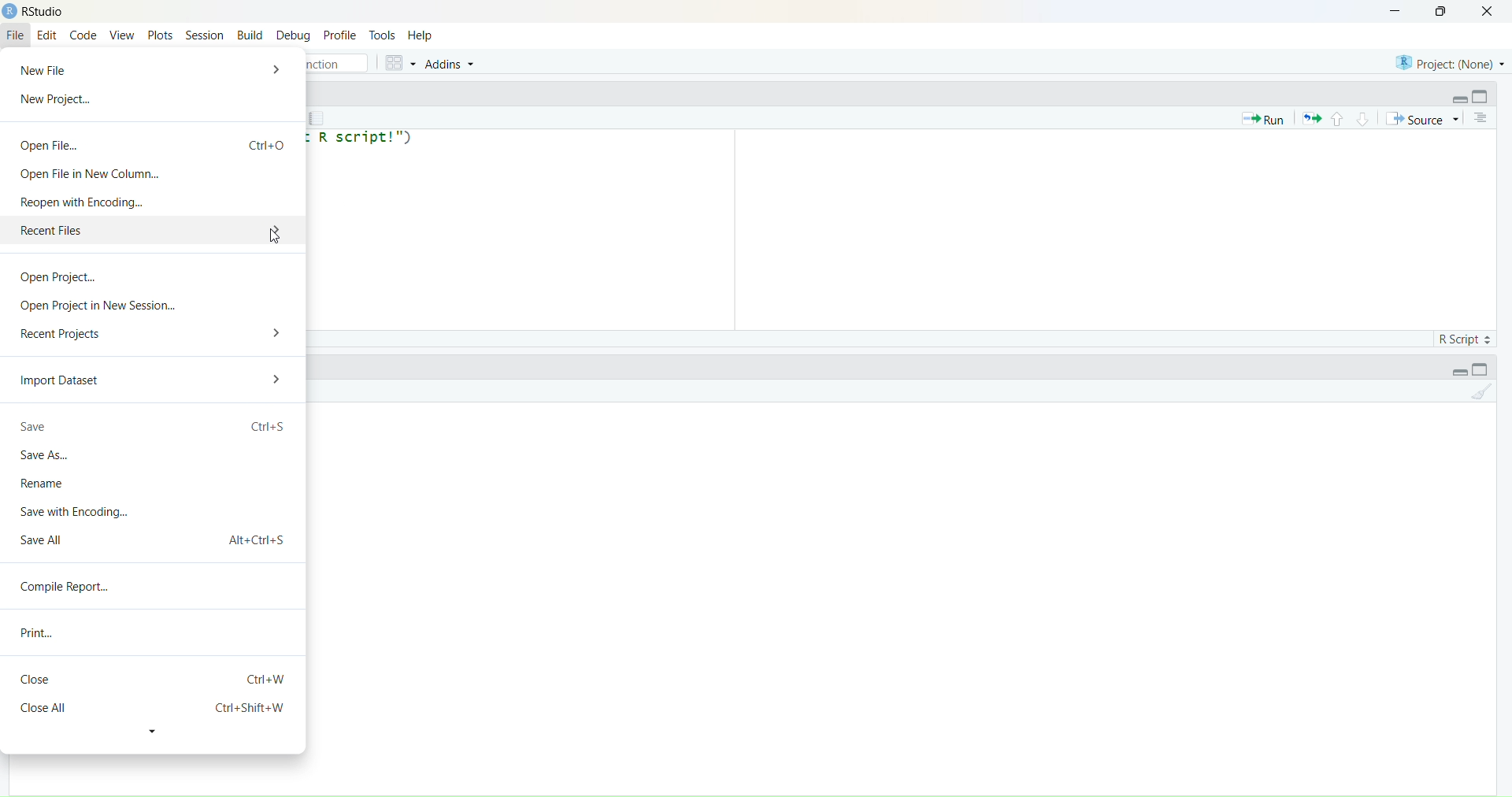 This screenshot has height=797, width=1512. Describe the element at coordinates (1360, 117) in the screenshot. I see `Go to next section/chunk (Ctrl + pgDn)` at that location.